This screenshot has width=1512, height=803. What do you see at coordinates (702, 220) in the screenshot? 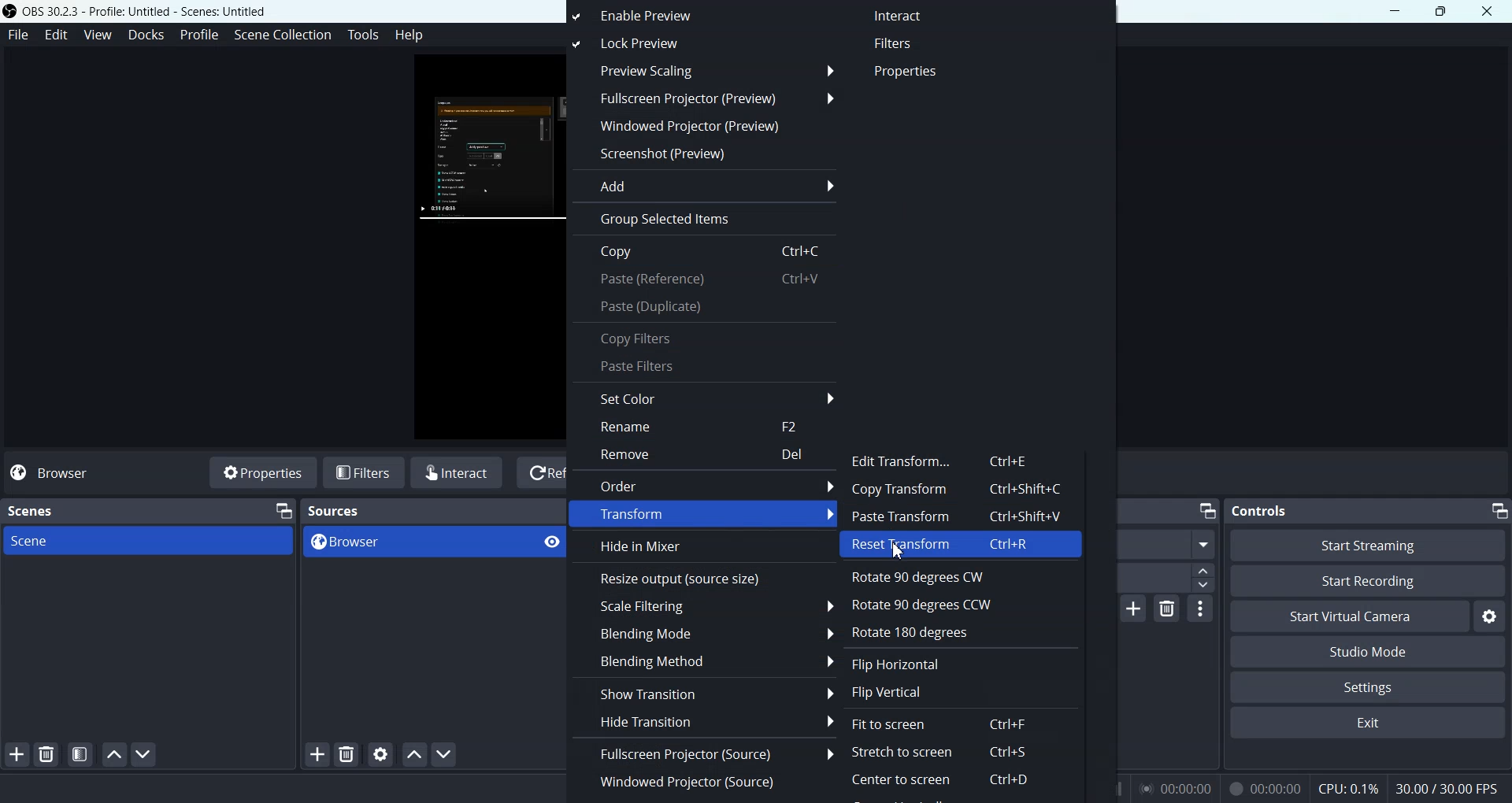
I see `Group Selected Items` at bounding box center [702, 220].